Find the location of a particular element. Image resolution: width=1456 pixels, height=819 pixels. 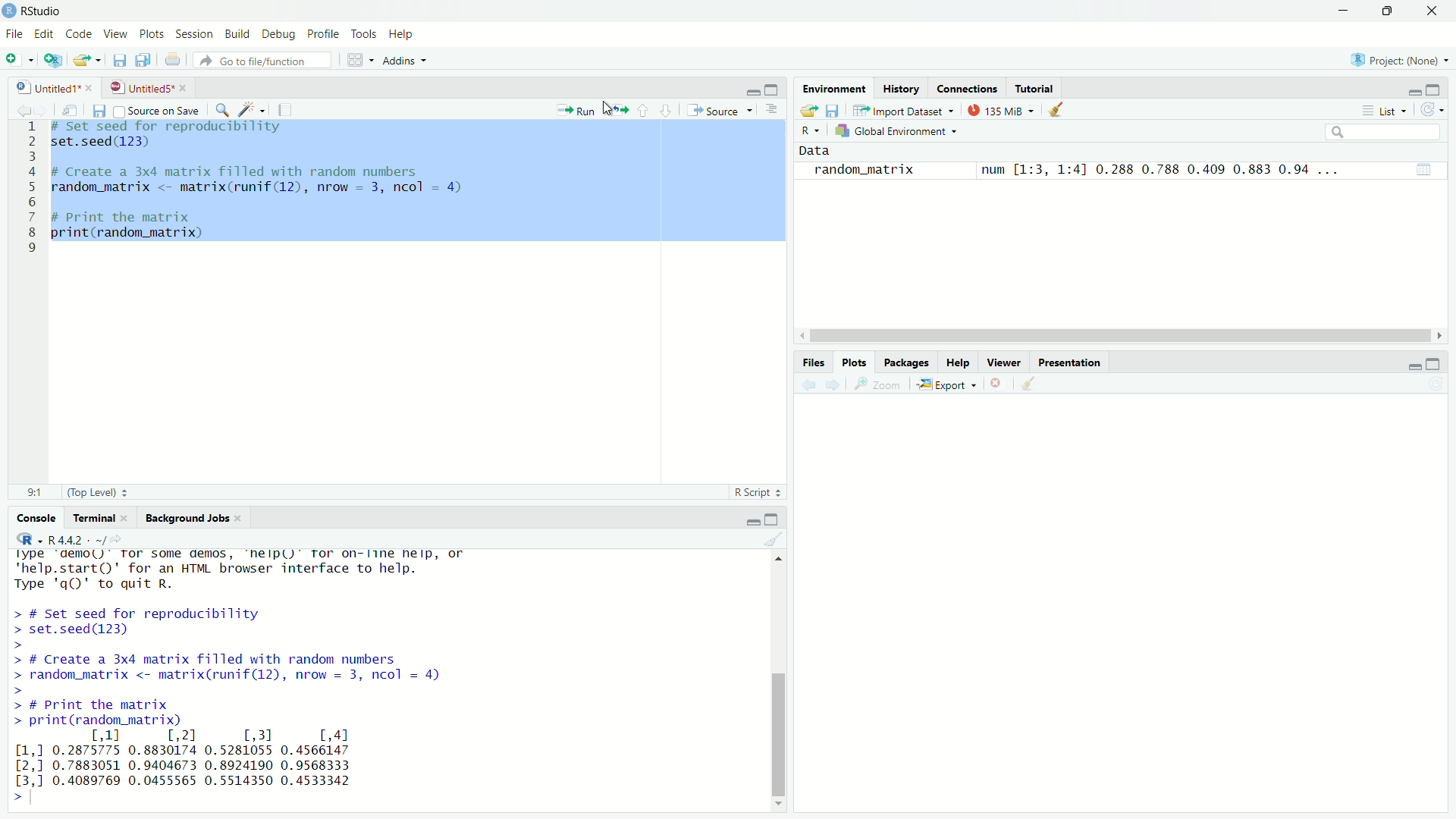

clear is located at coordinates (773, 540).